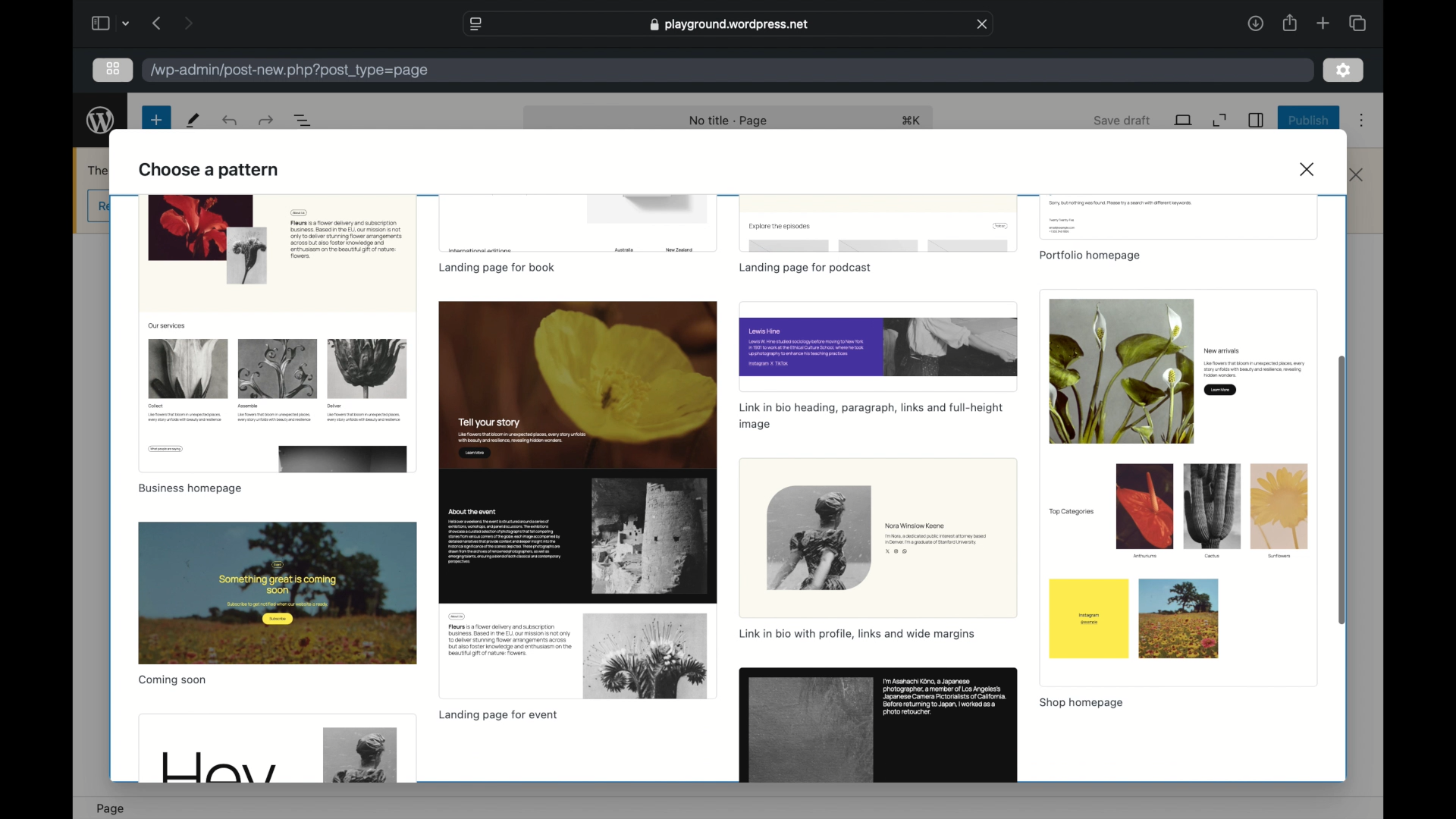 The image size is (1456, 819). Describe the element at coordinates (158, 23) in the screenshot. I see `previous page` at that location.